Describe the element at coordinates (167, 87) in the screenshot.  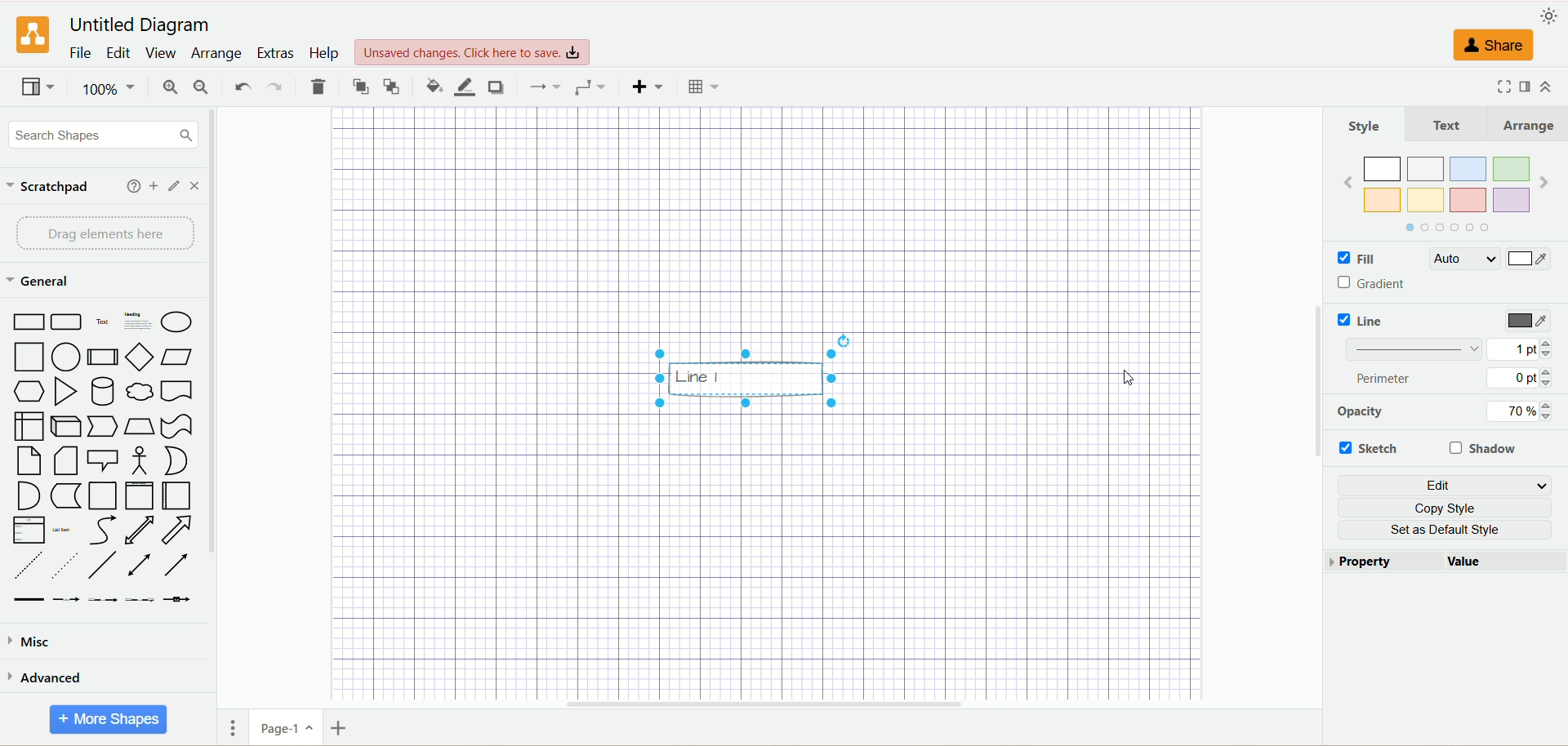
I see `zoom in` at that location.